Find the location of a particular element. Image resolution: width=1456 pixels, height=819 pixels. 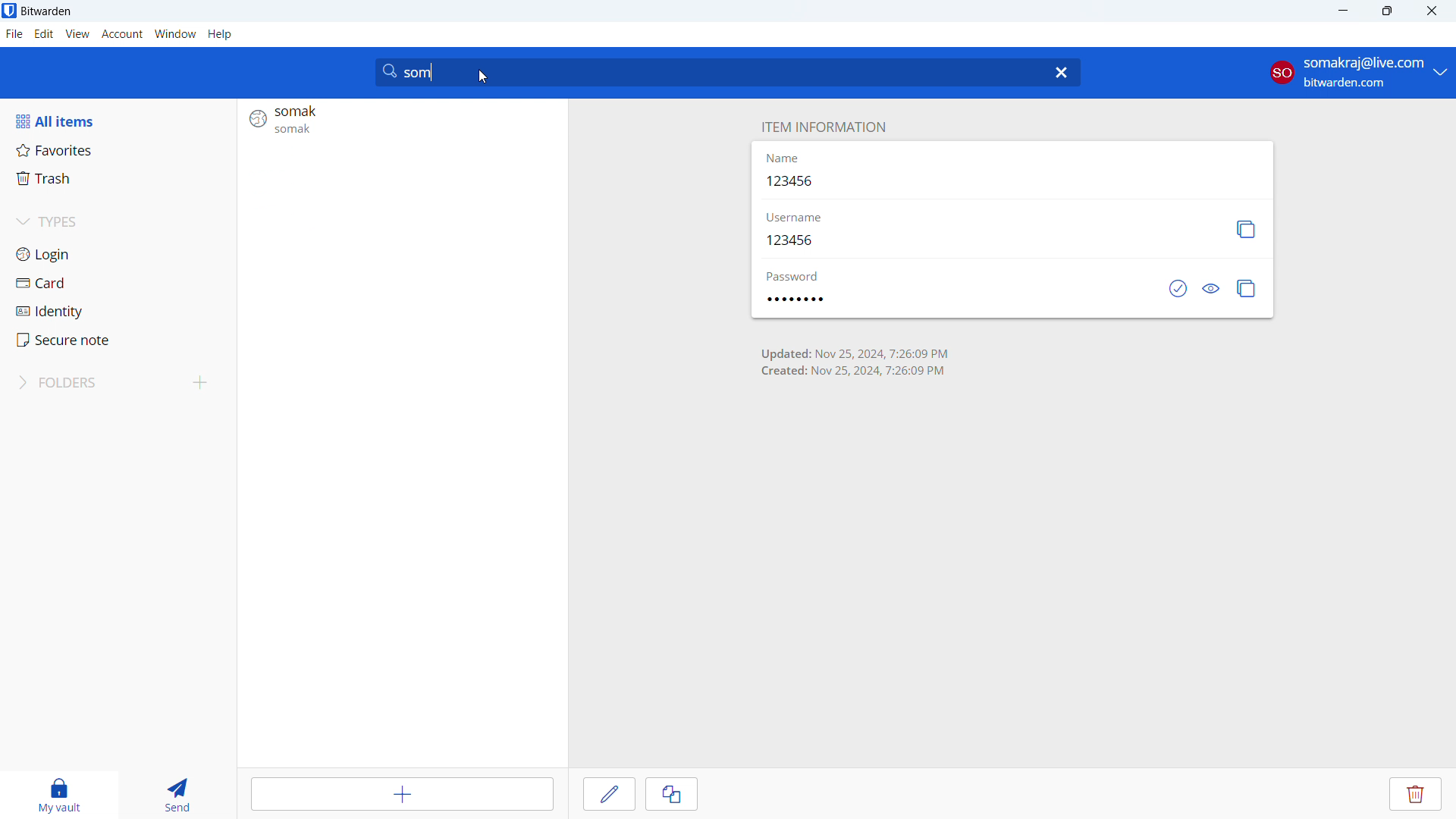

all items is located at coordinates (118, 121).